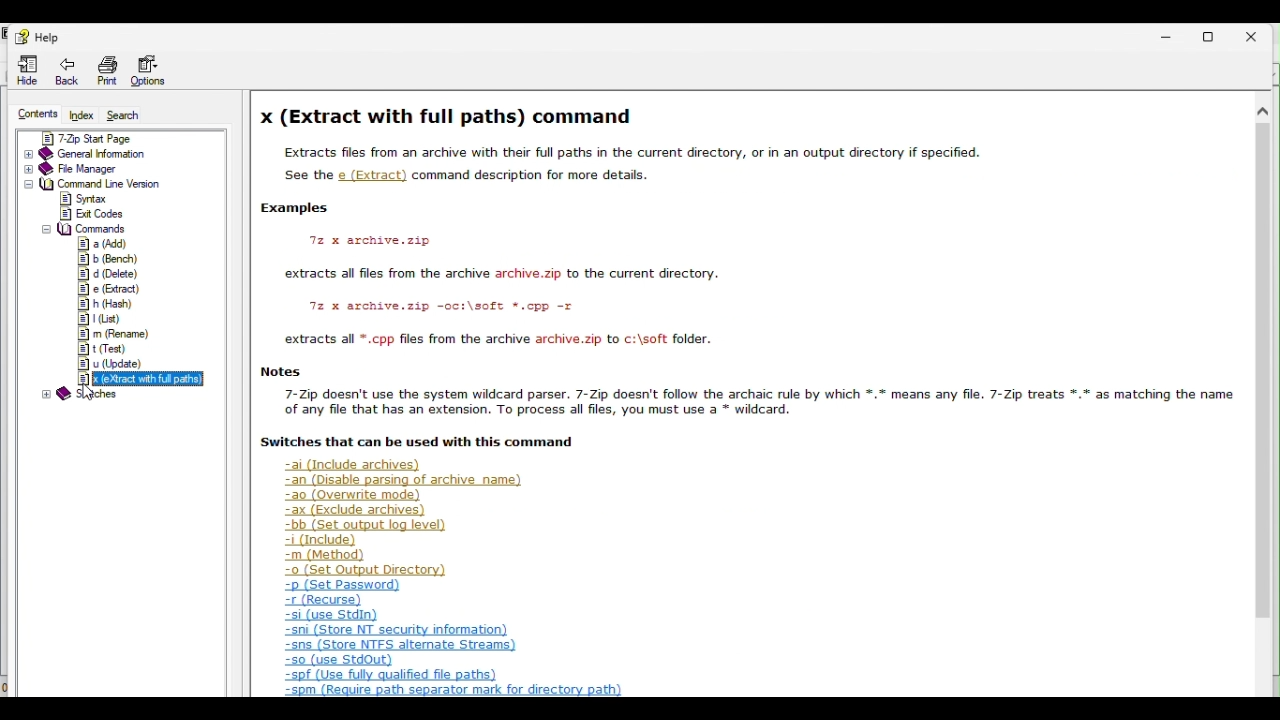  What do you see at coordinates (22, 71) in the screenshot?
I see `Hide` at bounding box center [22, 71].